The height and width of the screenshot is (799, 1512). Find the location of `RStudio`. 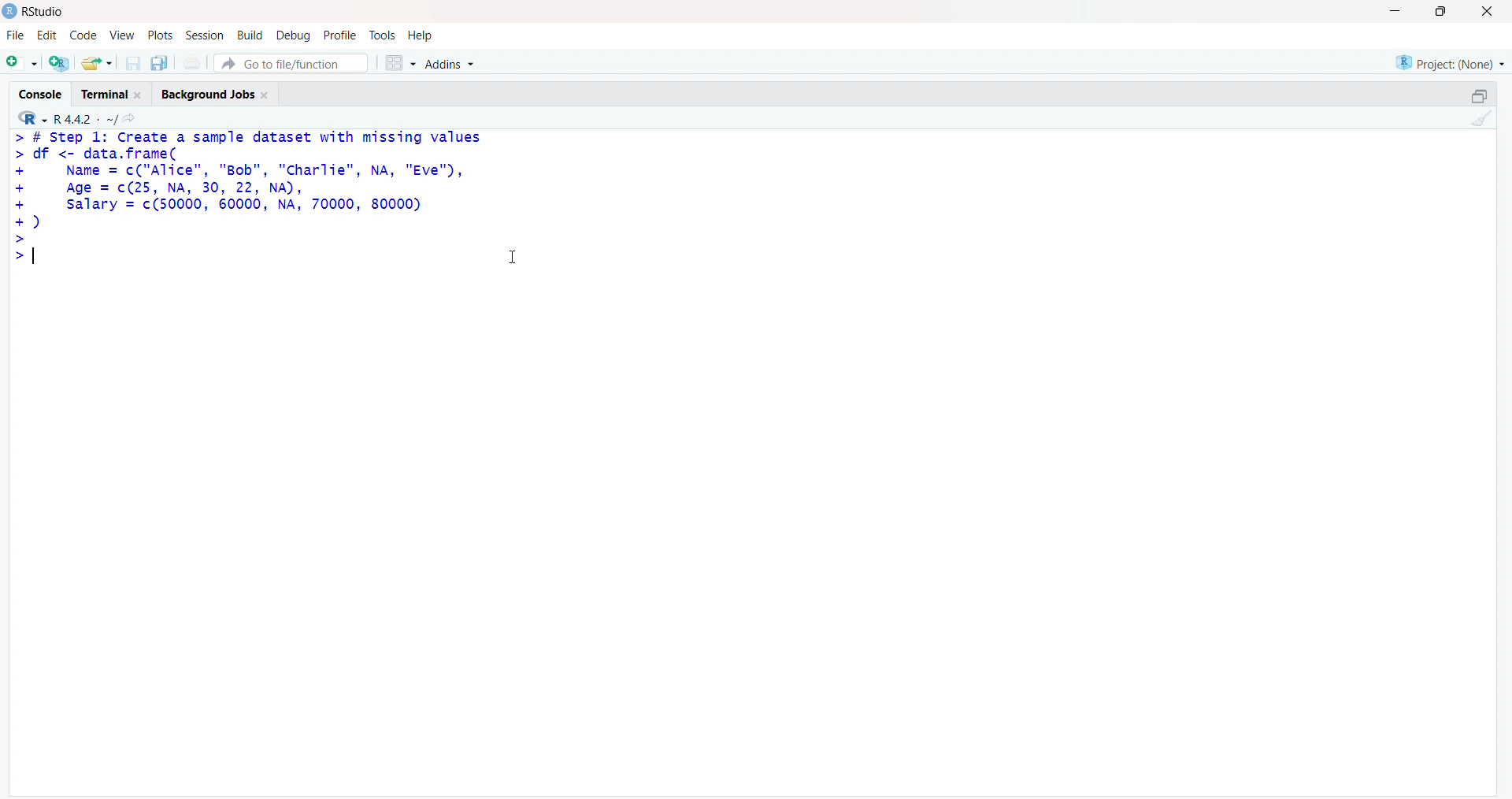

RStudio is located at coordinates (33, 13).